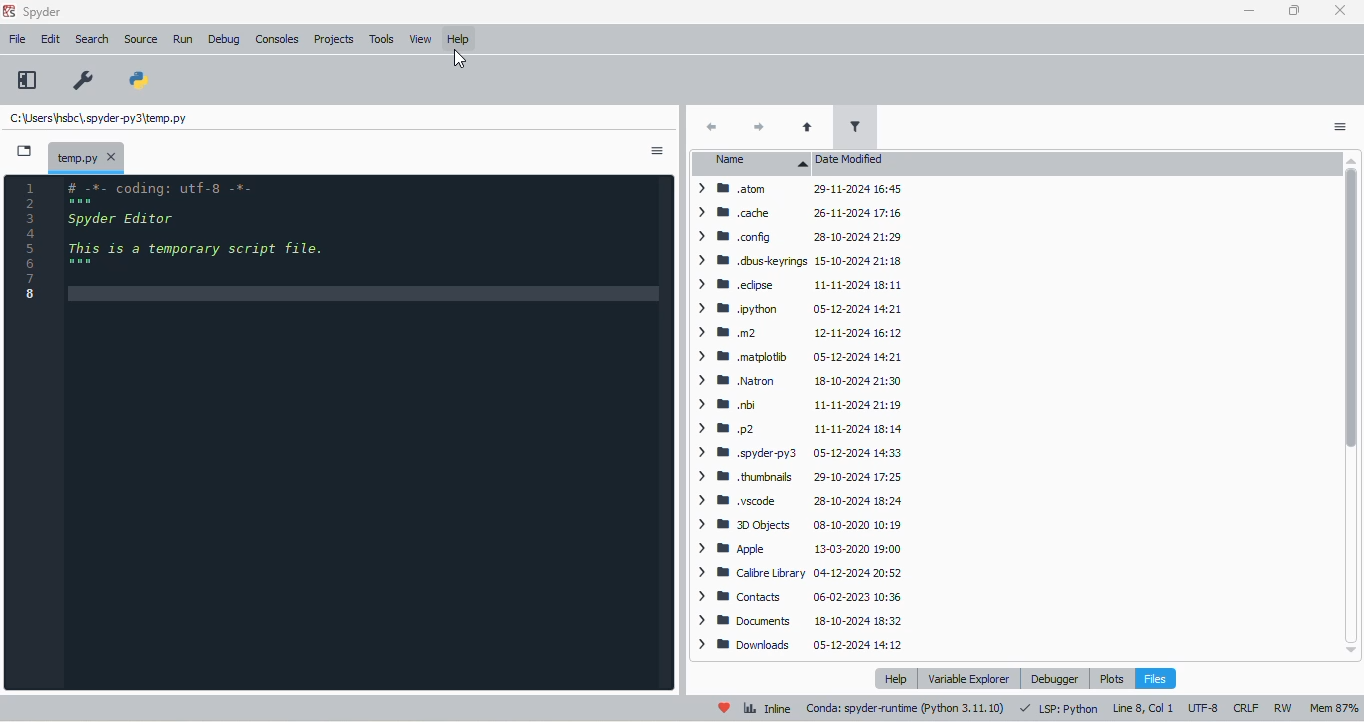  I want to click on edit, so click(50, 39).